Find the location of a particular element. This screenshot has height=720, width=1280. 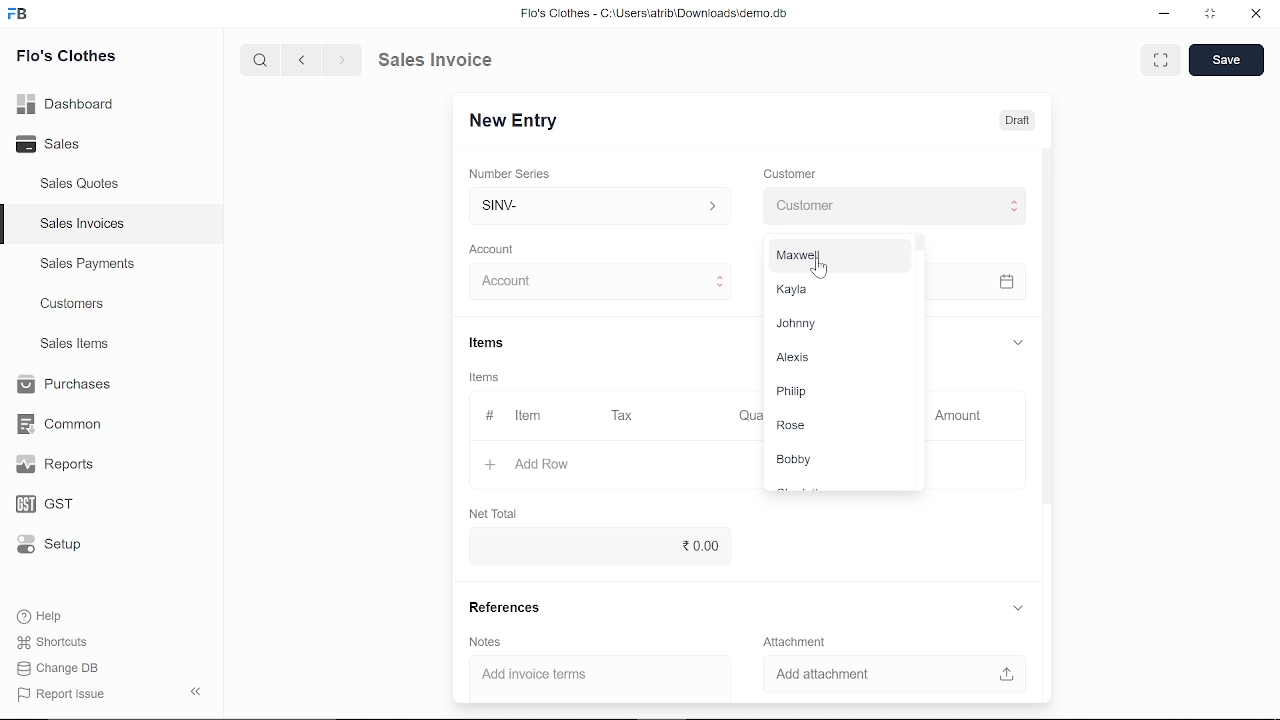

save is located at coordinates (1226, 60).